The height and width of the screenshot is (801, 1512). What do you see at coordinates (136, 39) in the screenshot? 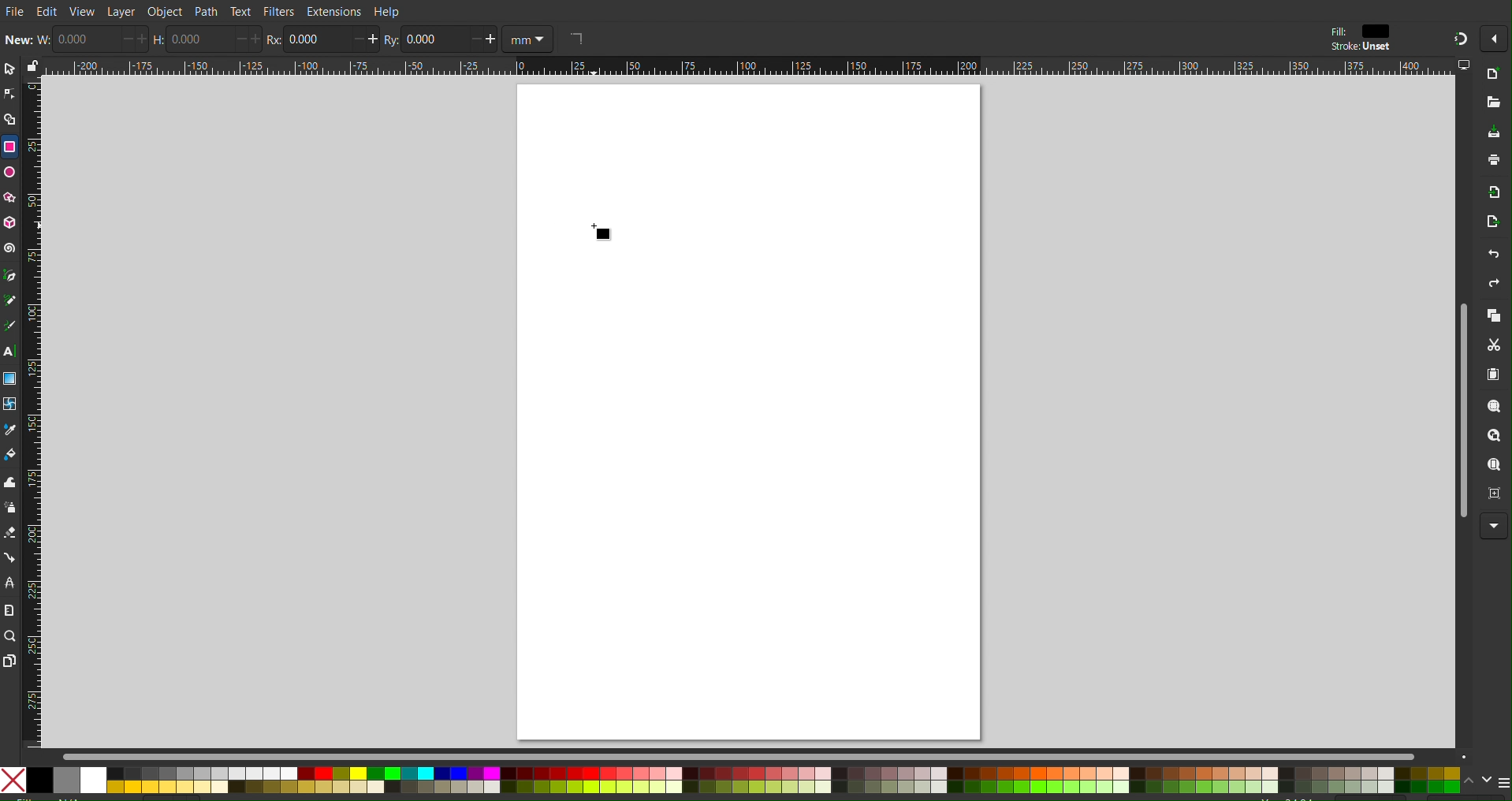
I see `increase/decrease` at bounding box center [136, 39].